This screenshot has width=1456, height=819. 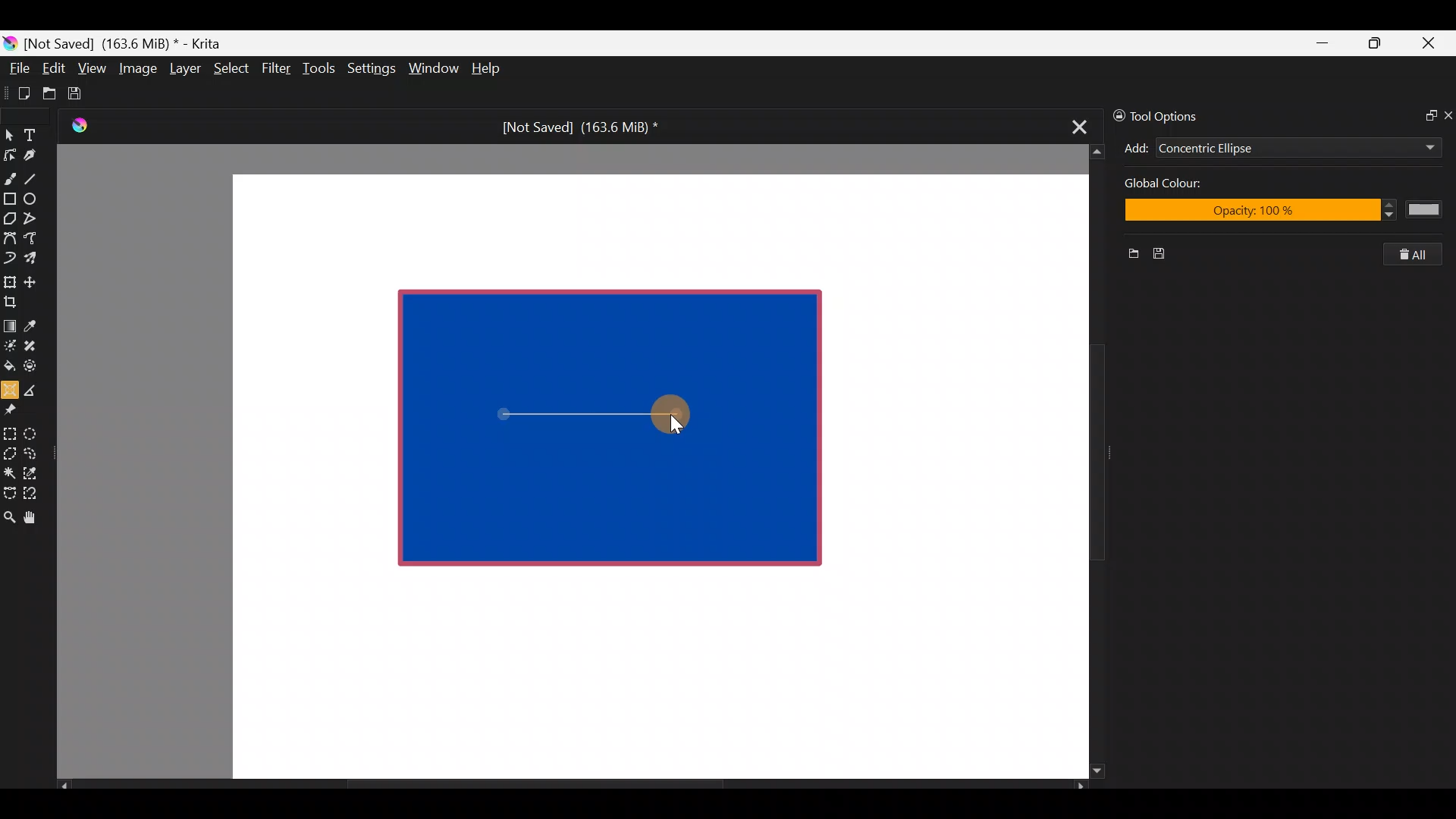 I want to click on Settings, so click(x=373, y=71).